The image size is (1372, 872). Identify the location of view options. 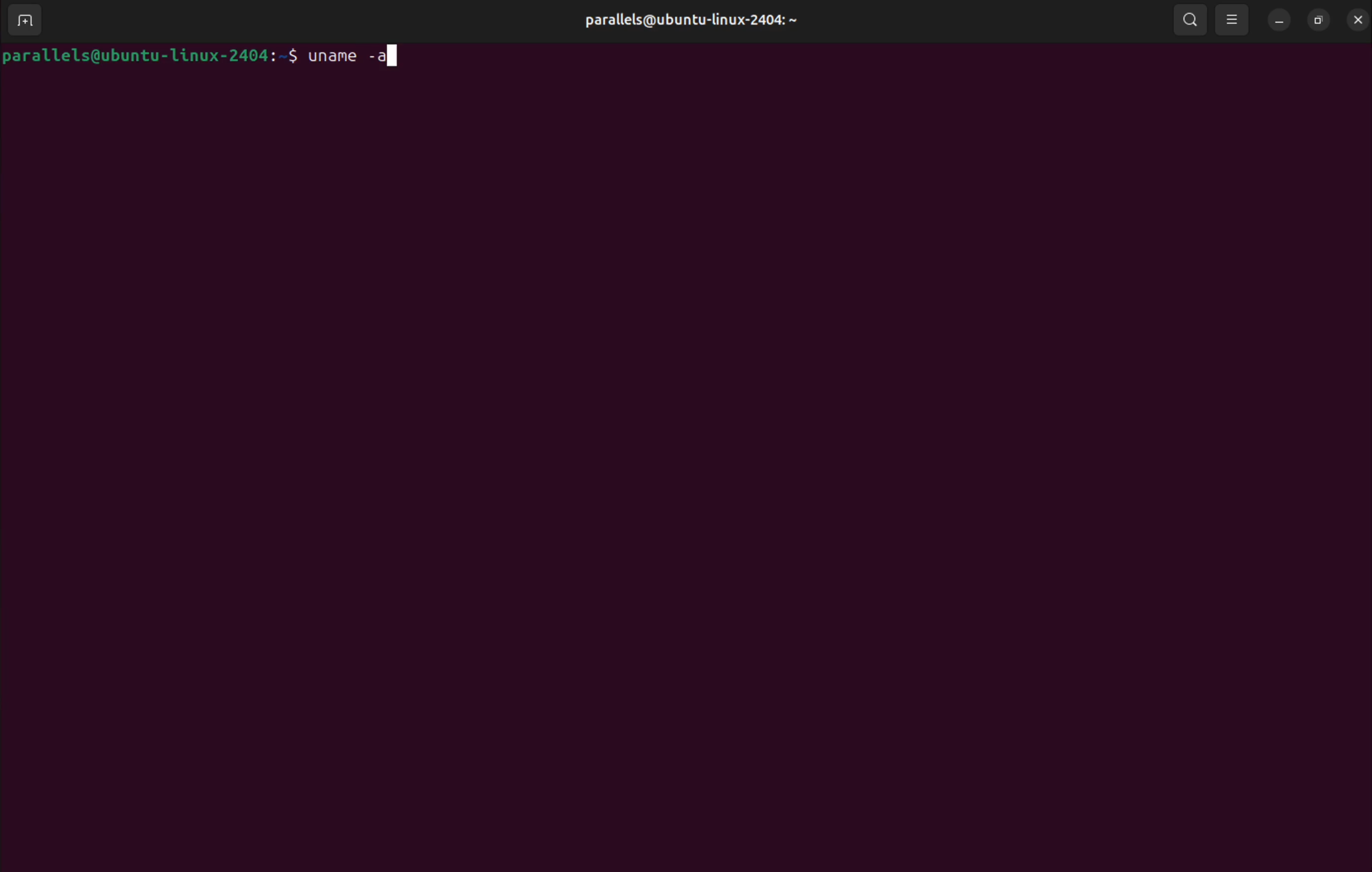
(1234, 19).